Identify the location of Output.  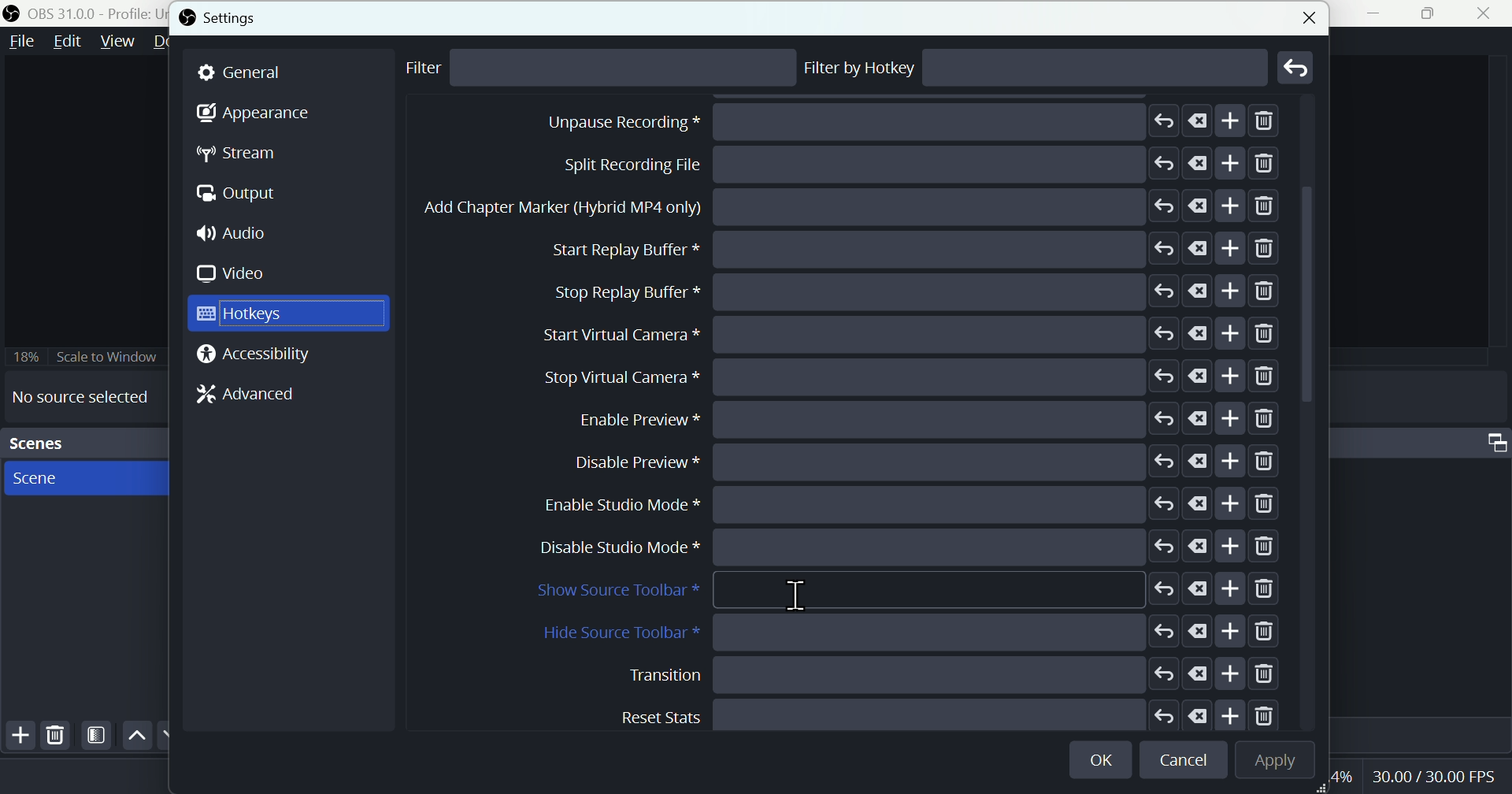
(245, 195).